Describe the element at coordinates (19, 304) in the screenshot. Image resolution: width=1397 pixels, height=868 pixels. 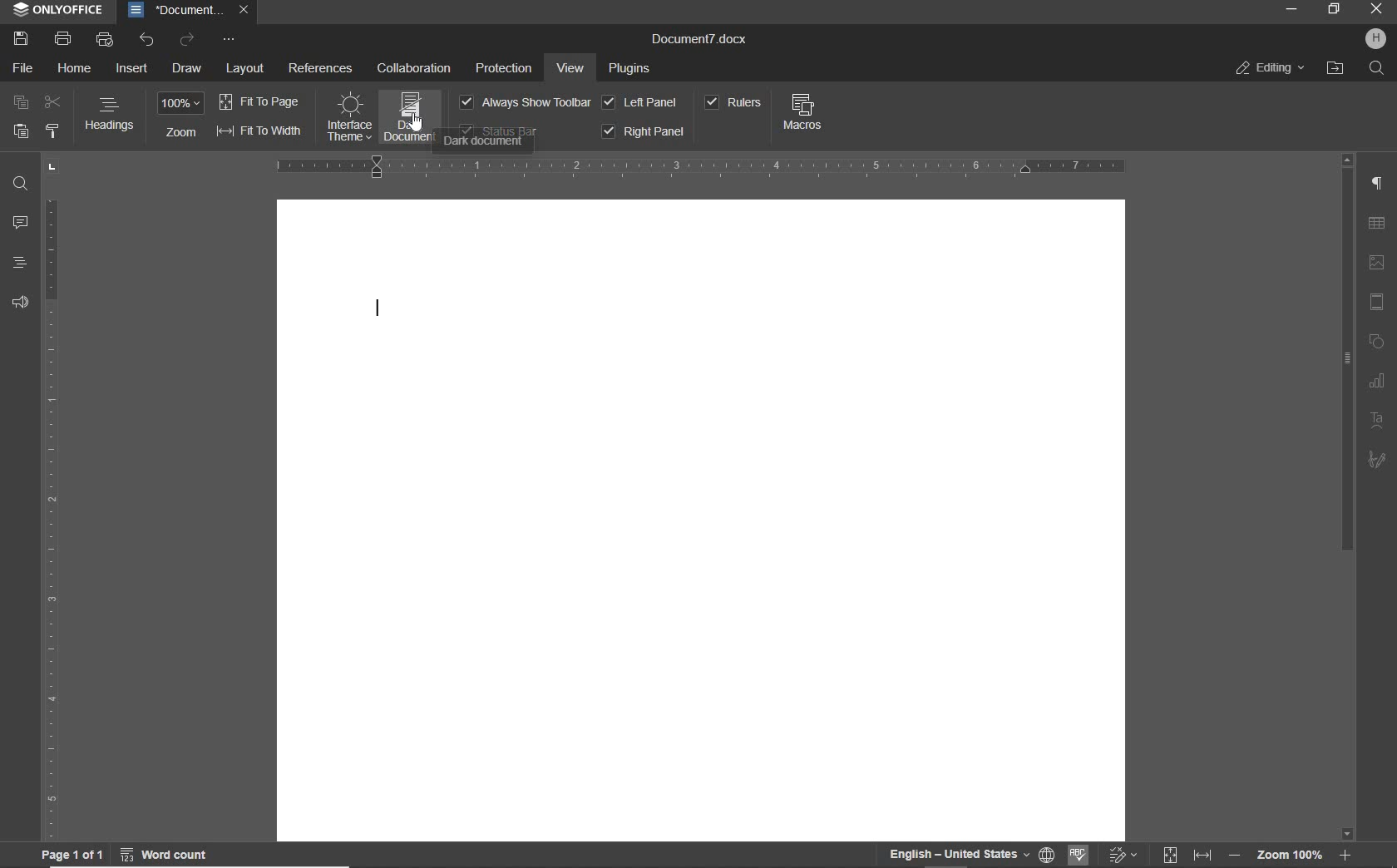
I see `FEEDBACK & SUPPORT` at that location.